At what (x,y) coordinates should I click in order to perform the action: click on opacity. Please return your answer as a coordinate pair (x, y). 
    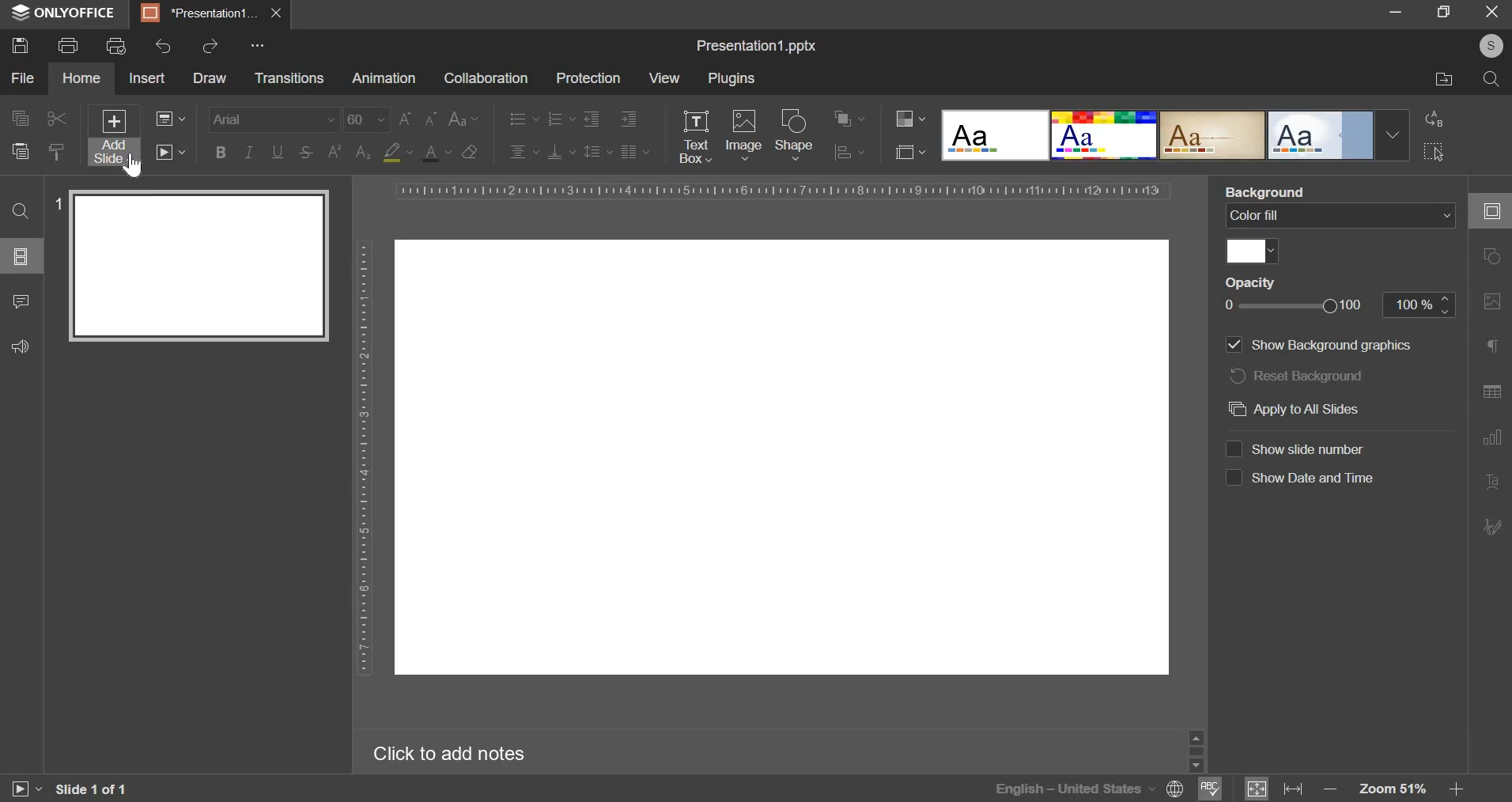
    Looking at the image, I should click on (1258, 283).